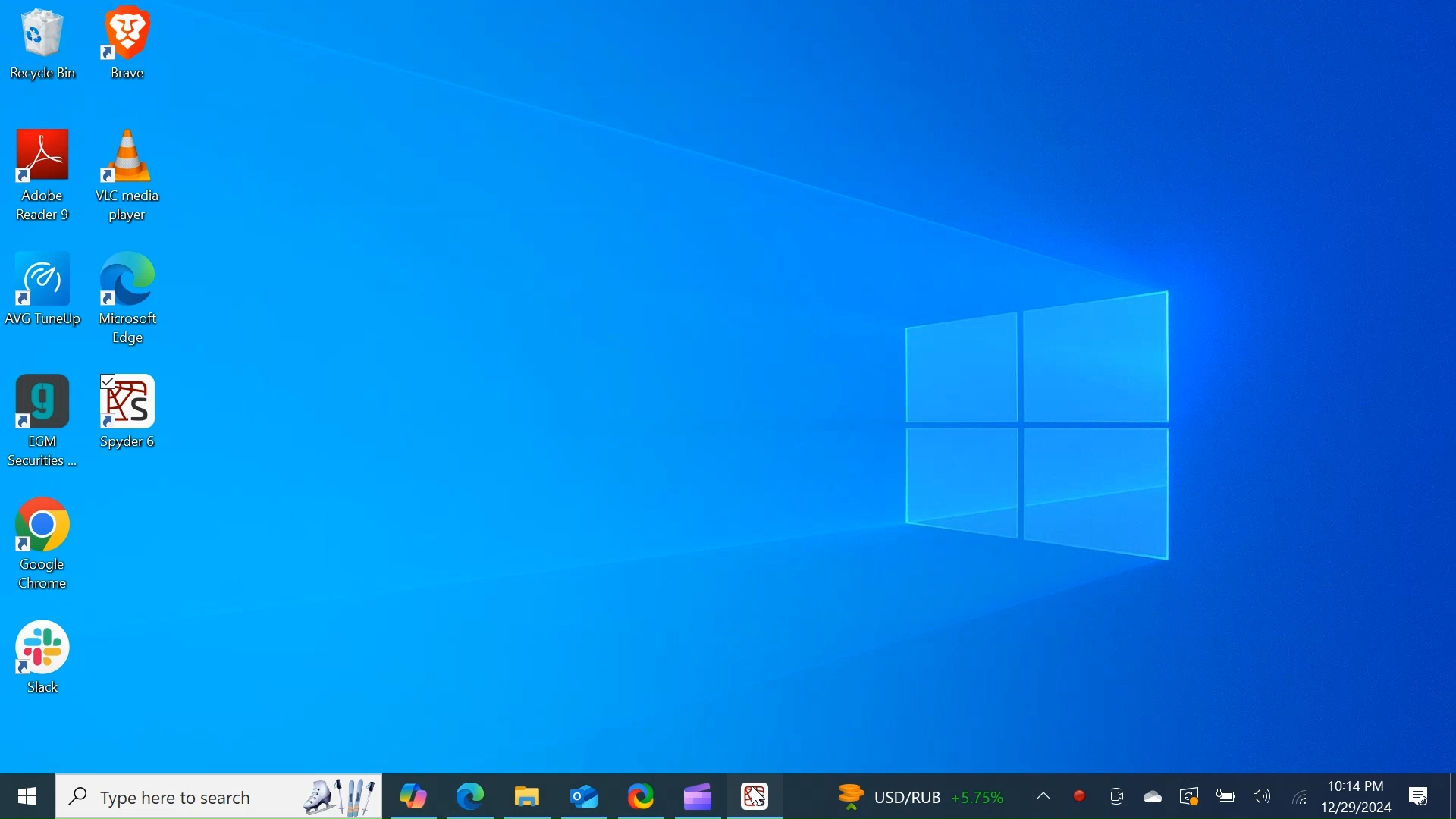  Describe the element at coordinates (1116, 794) in the screenshot. I see `Meet now` at that location.